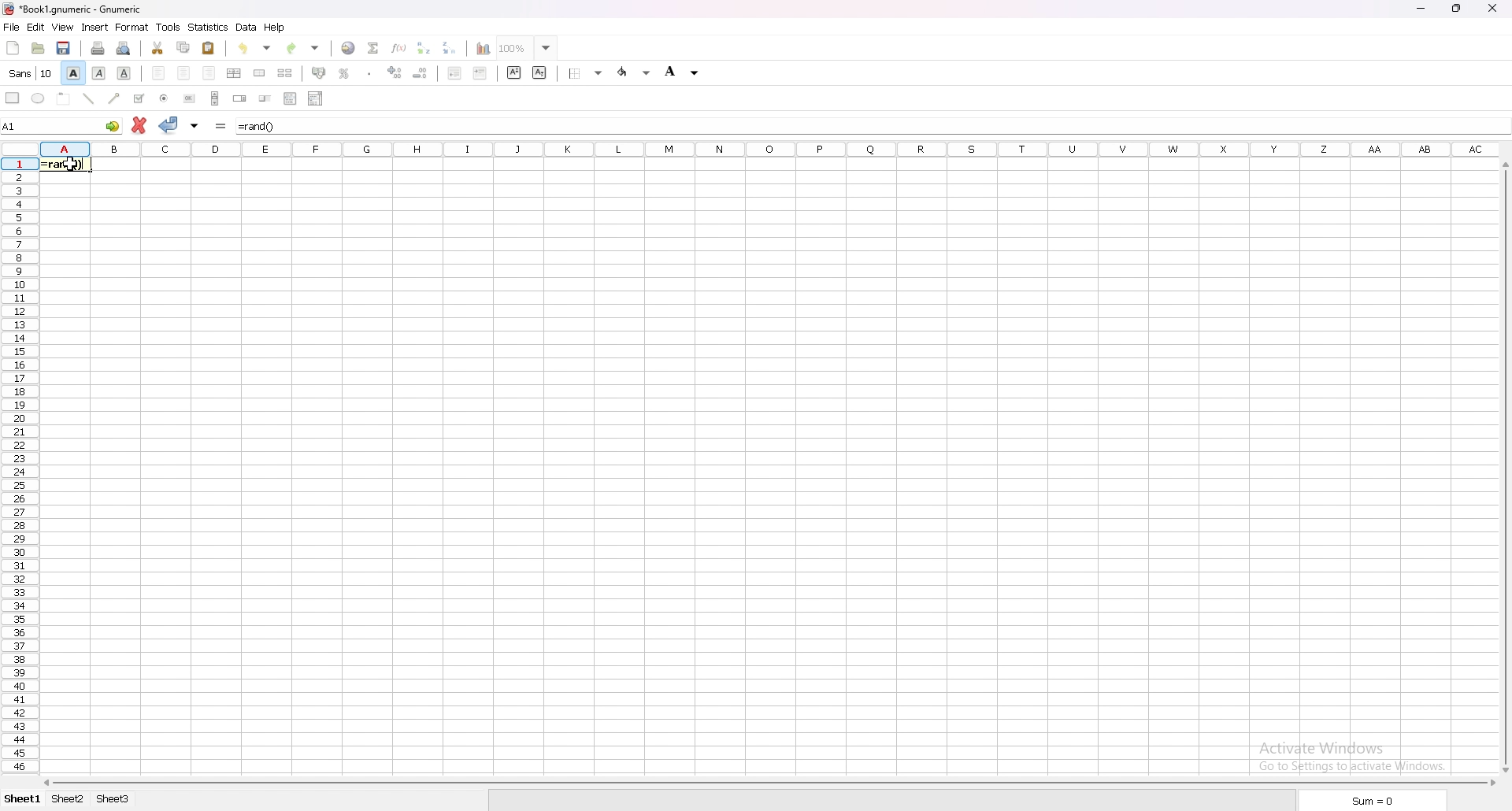  What do you see at coordinates (349, 48) in the screenshot?
I see `hyperlink` at bounding box center [349, 48].